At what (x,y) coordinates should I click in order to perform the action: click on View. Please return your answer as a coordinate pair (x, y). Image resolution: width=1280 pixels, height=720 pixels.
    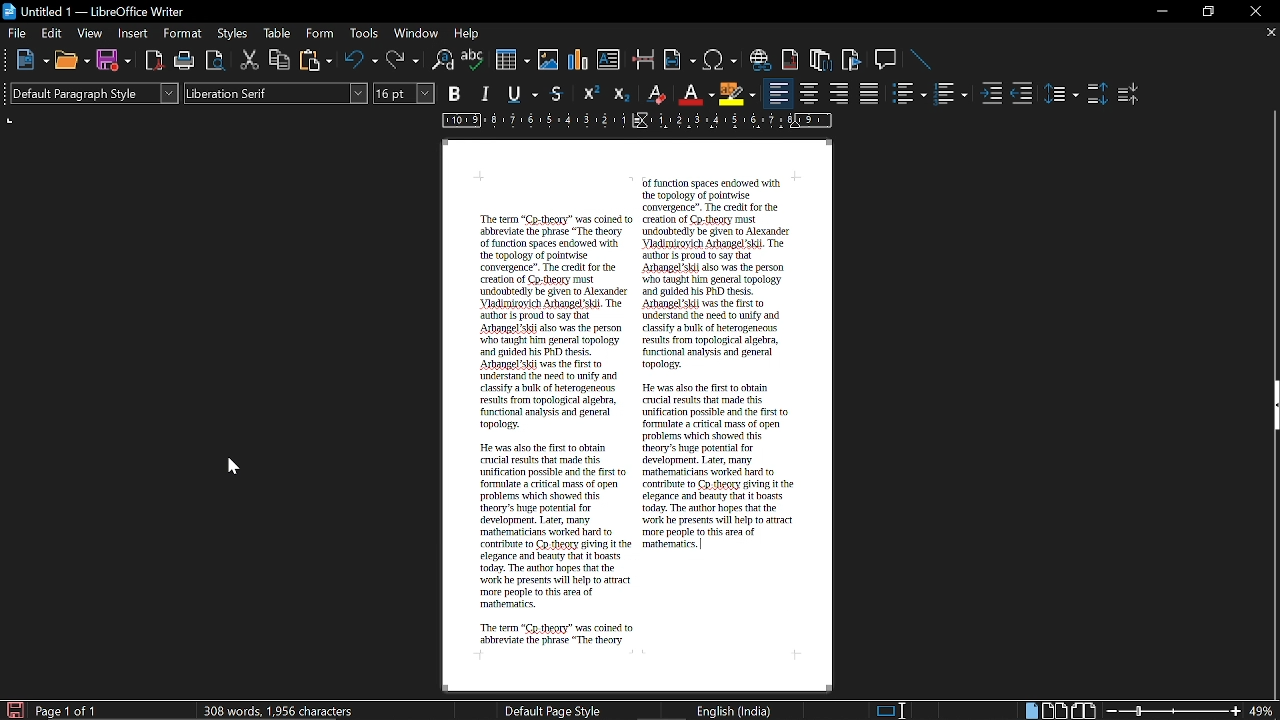
    Looking at the image, I should click on (88, 34).